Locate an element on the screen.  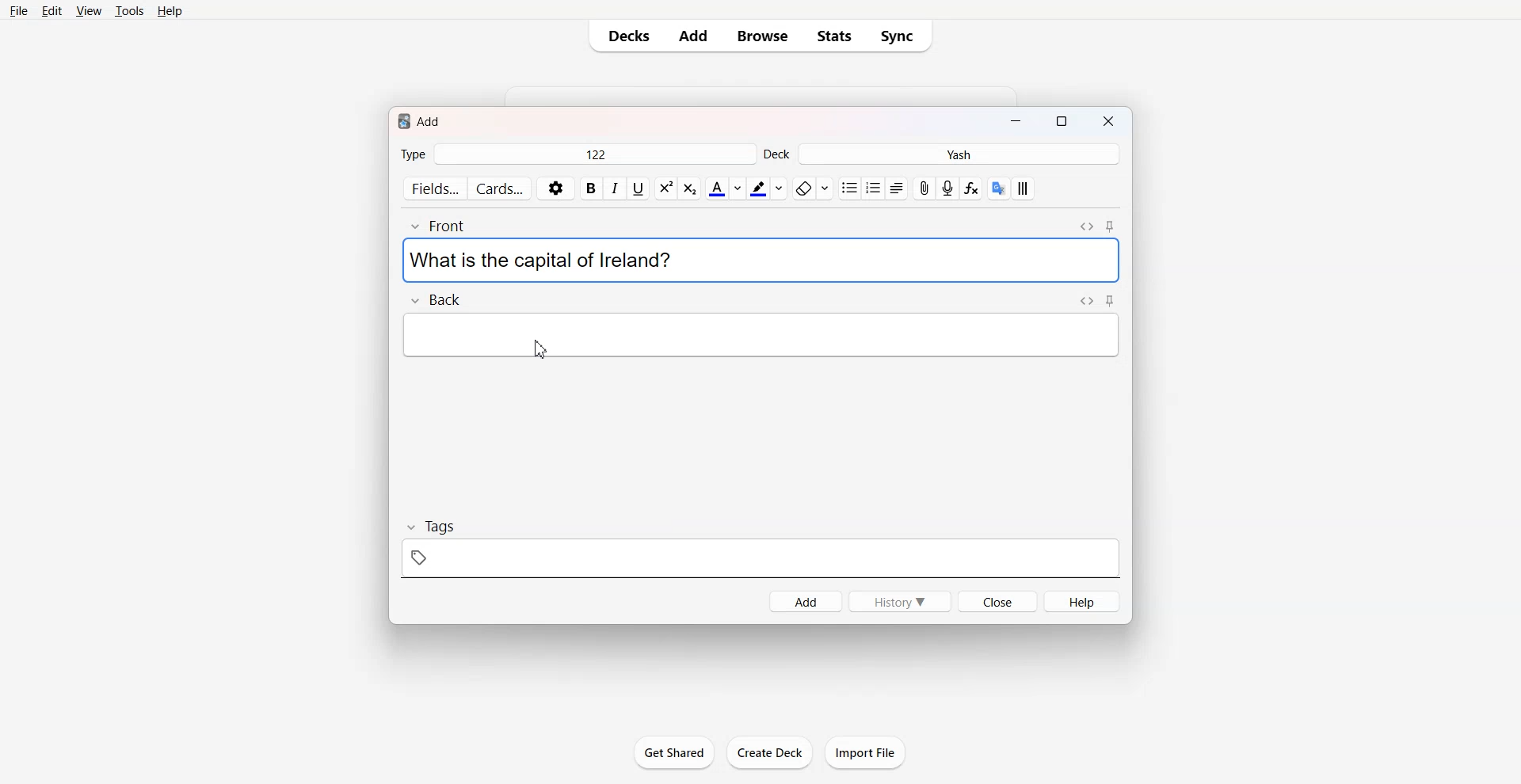
Equations is located at coordinates (971, 188).